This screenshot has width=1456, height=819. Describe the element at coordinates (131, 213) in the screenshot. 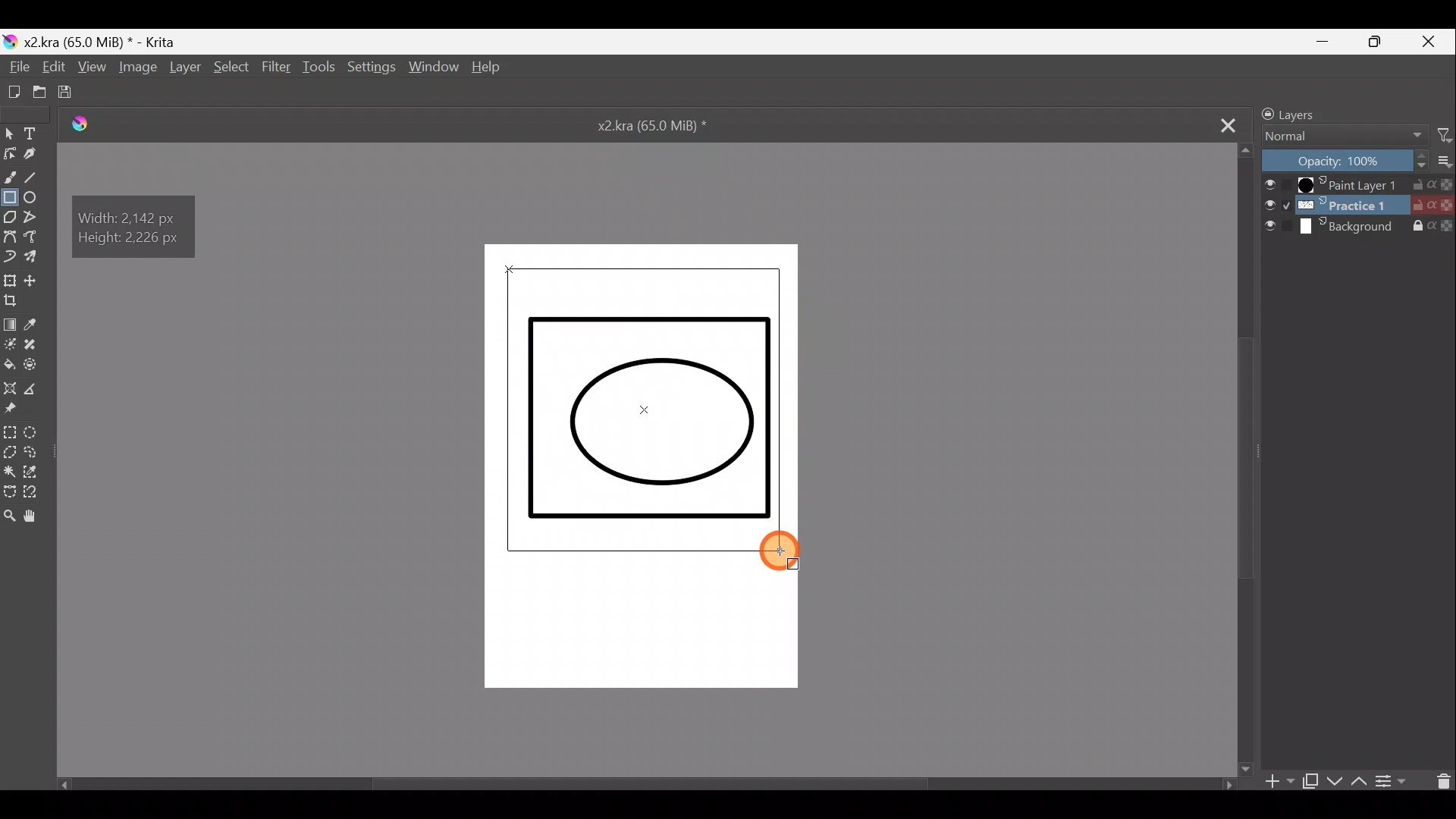

I see `Width: 2,142 px` at that location.